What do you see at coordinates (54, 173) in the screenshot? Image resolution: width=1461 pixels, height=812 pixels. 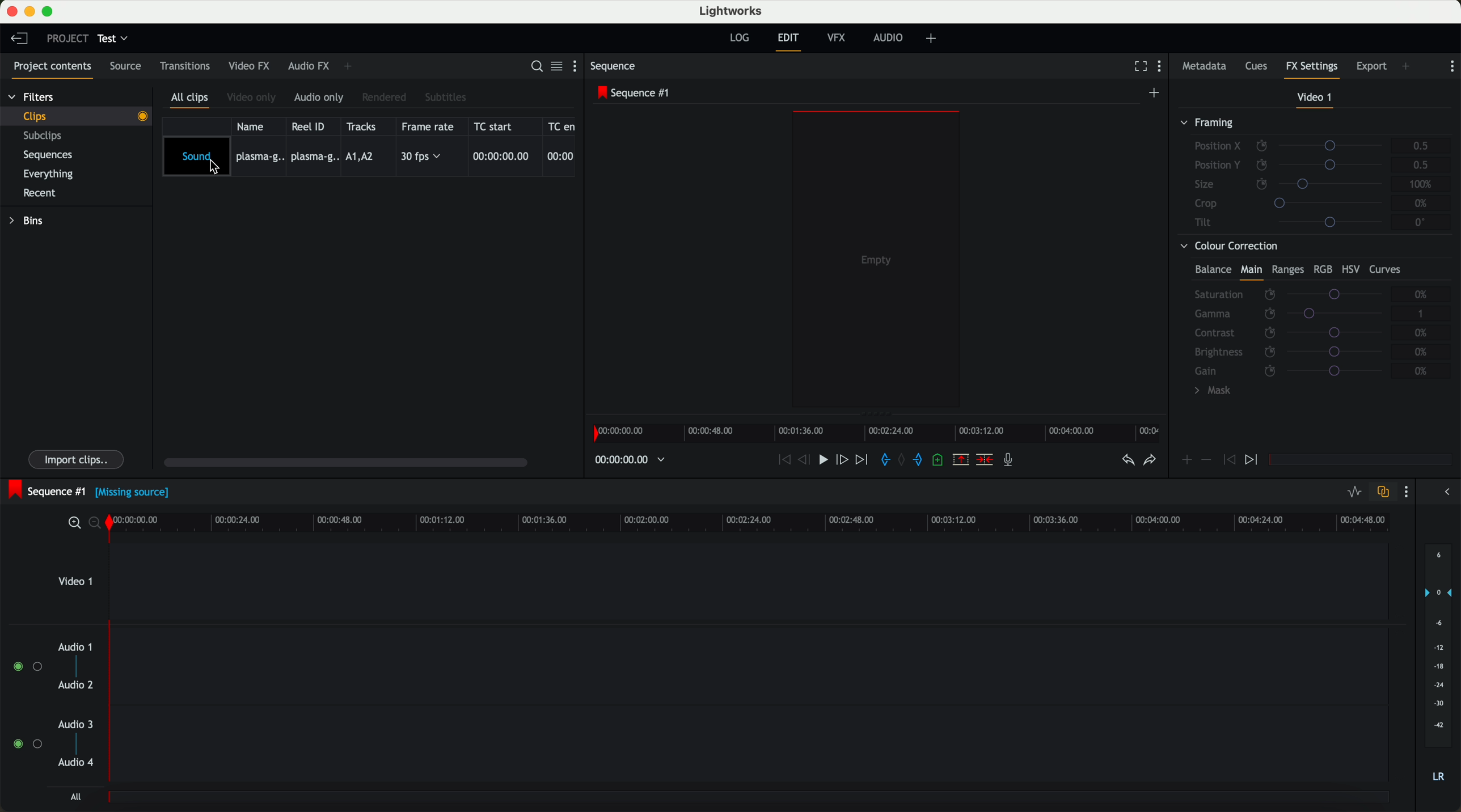 I see `everything` at bounding box center [54, 173].